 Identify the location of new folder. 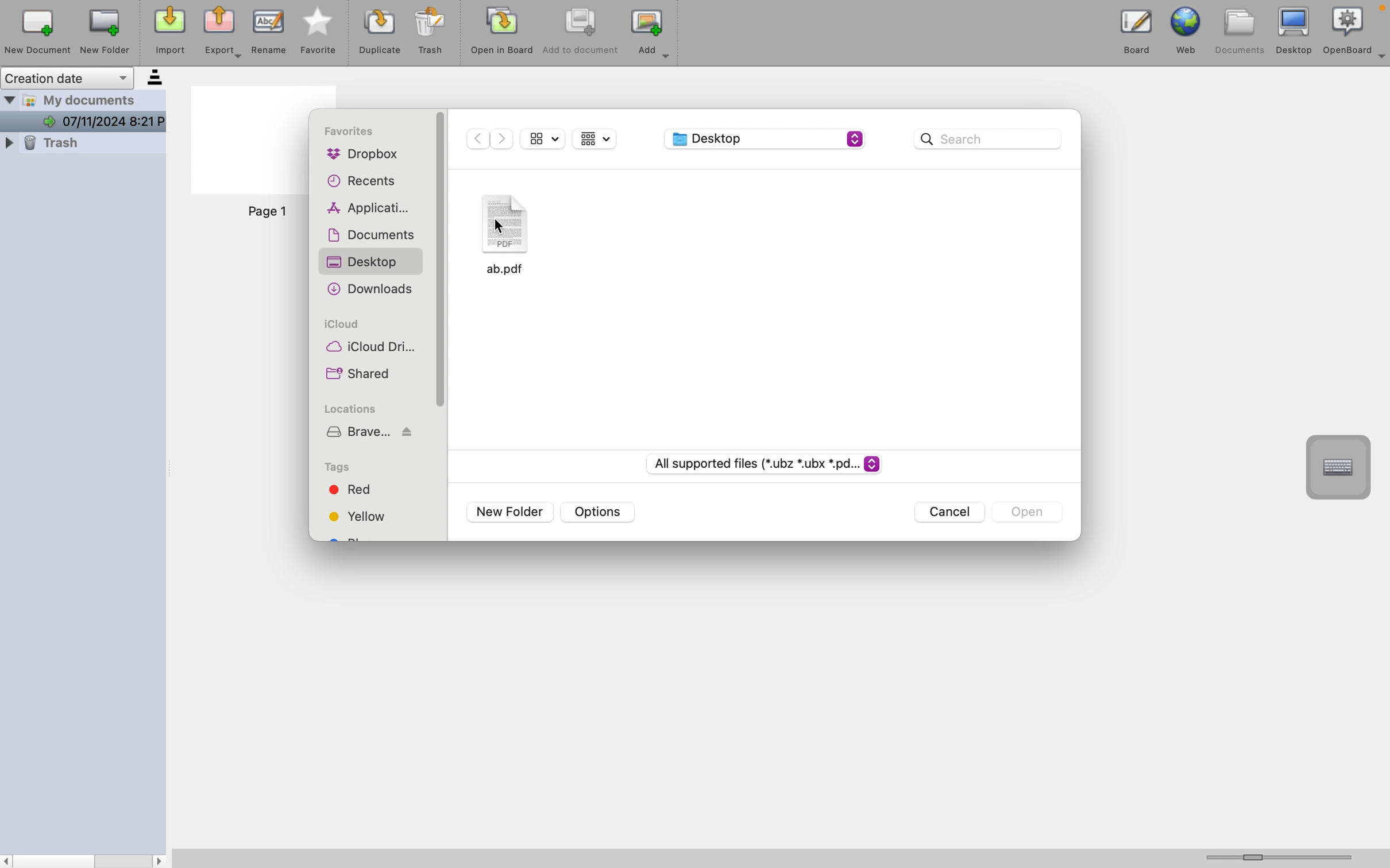
(104, 31).